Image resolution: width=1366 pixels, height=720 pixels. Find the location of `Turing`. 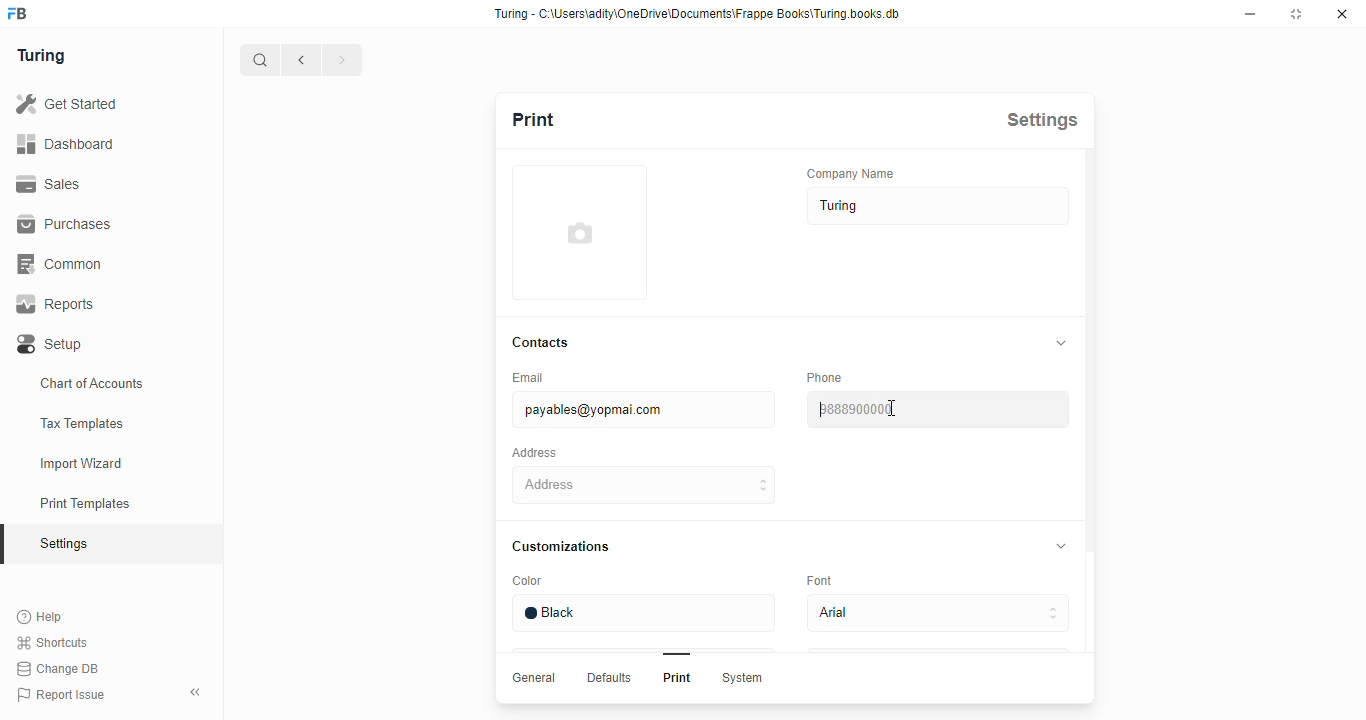

Turing is located at coordinates (47, 56).